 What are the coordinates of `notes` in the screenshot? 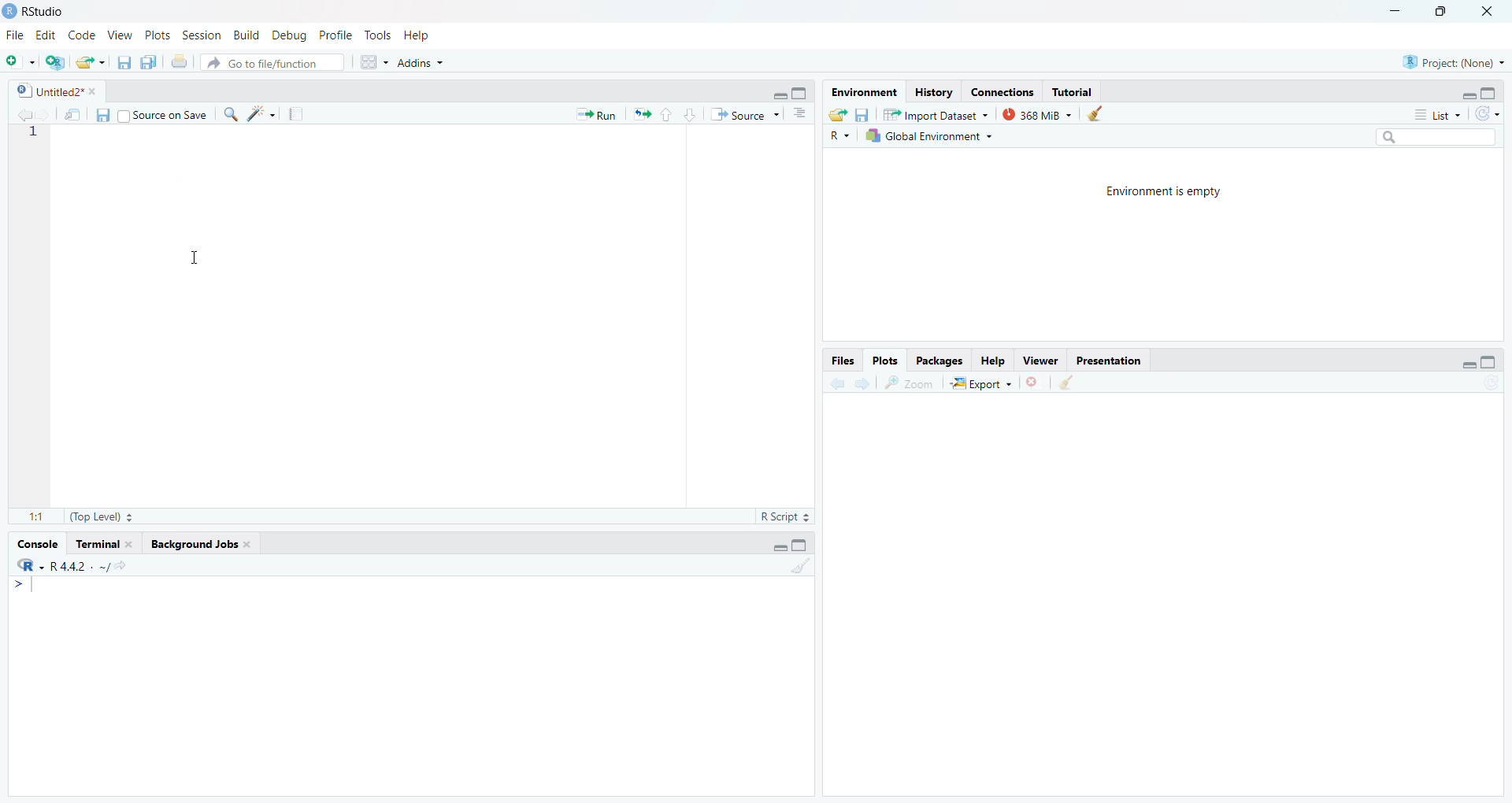 It's located at (299, 114).